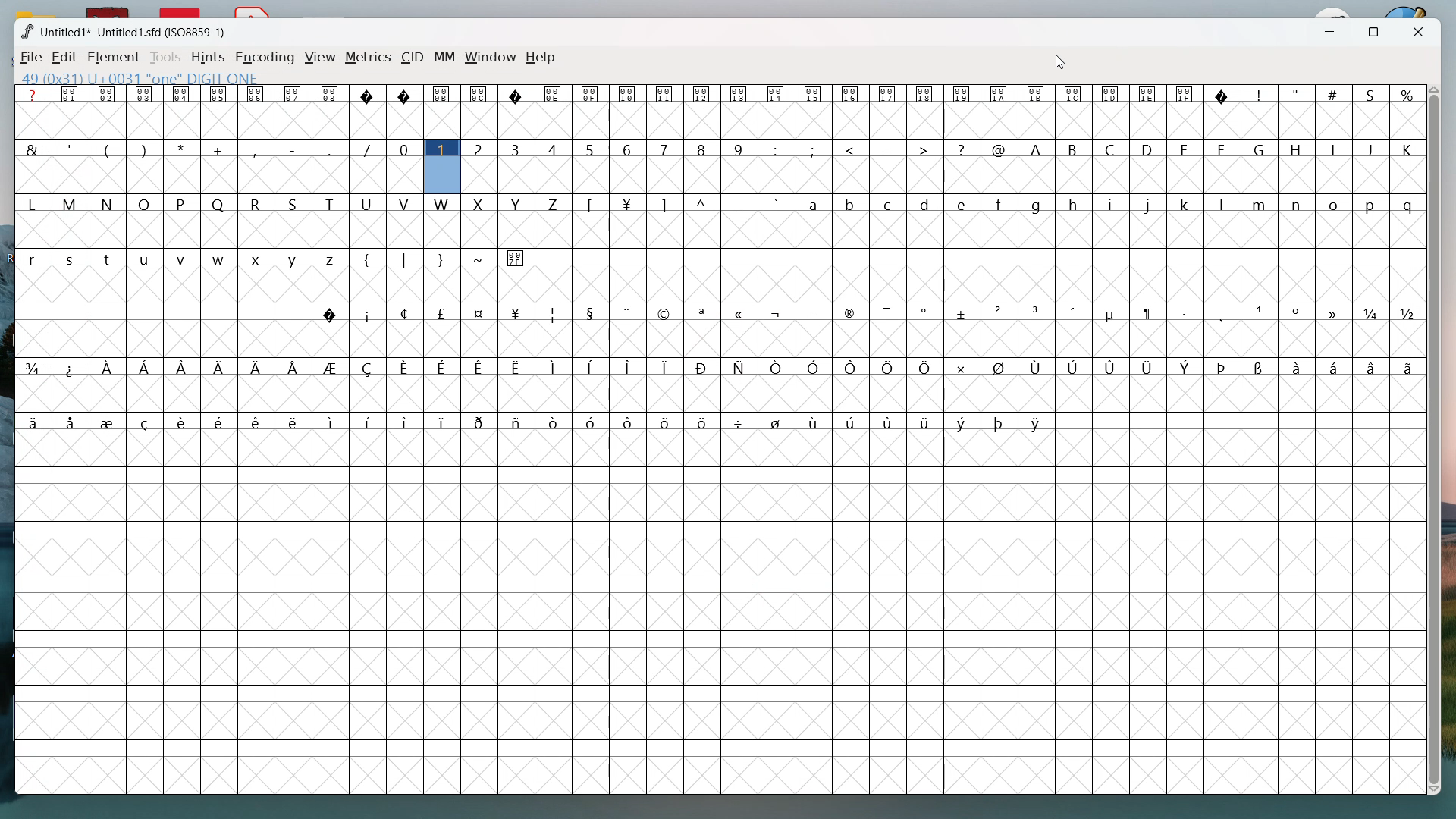 Image resolution: width=1456 pixels, height=819 pixels. I want to click on cursor, so click(1058, 61).